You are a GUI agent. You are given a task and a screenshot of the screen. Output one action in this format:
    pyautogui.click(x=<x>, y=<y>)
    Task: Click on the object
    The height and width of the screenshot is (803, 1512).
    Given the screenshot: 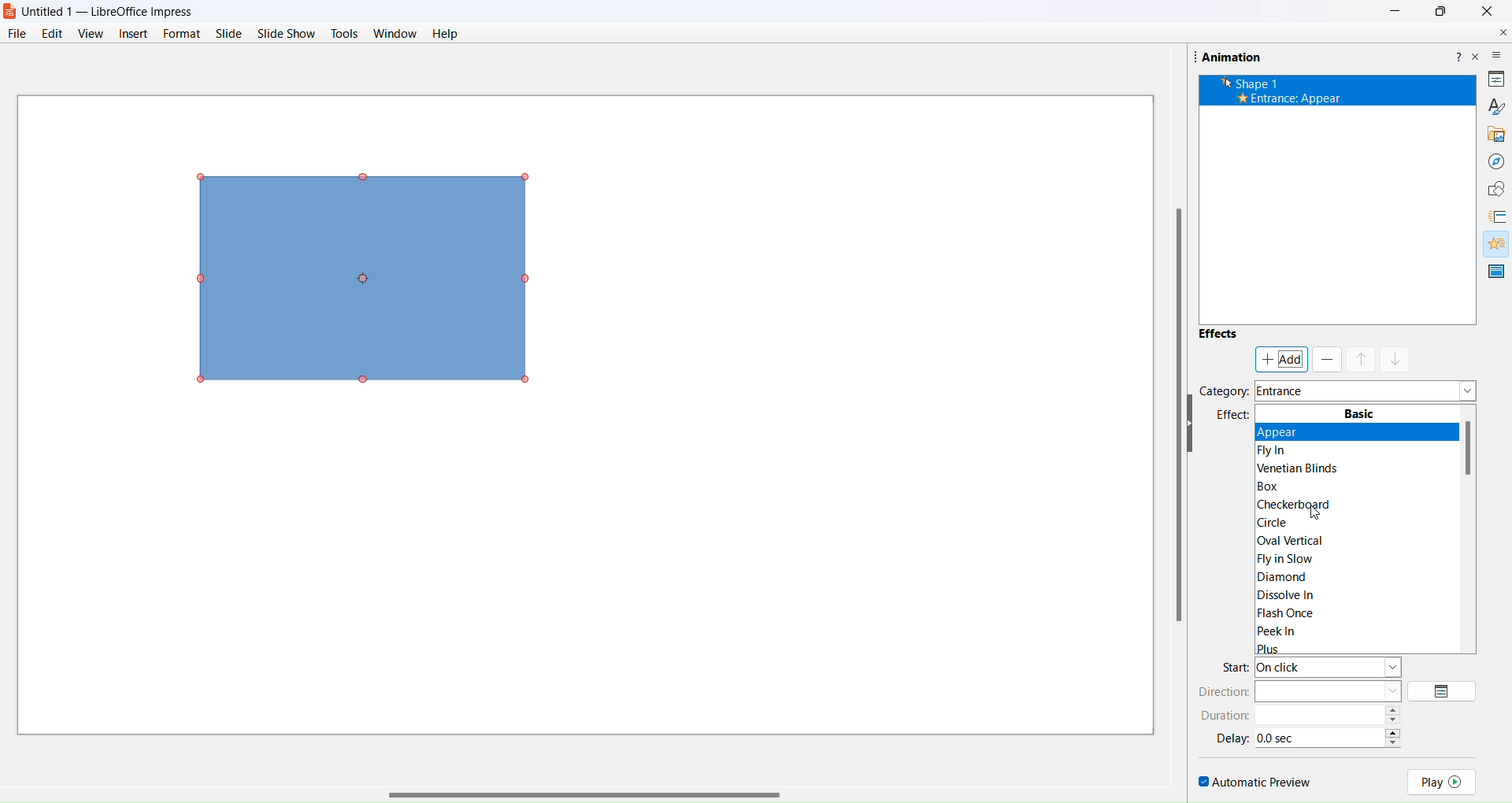 What is the action you would take?
    pyautogui.click(x=374, y=276)
    